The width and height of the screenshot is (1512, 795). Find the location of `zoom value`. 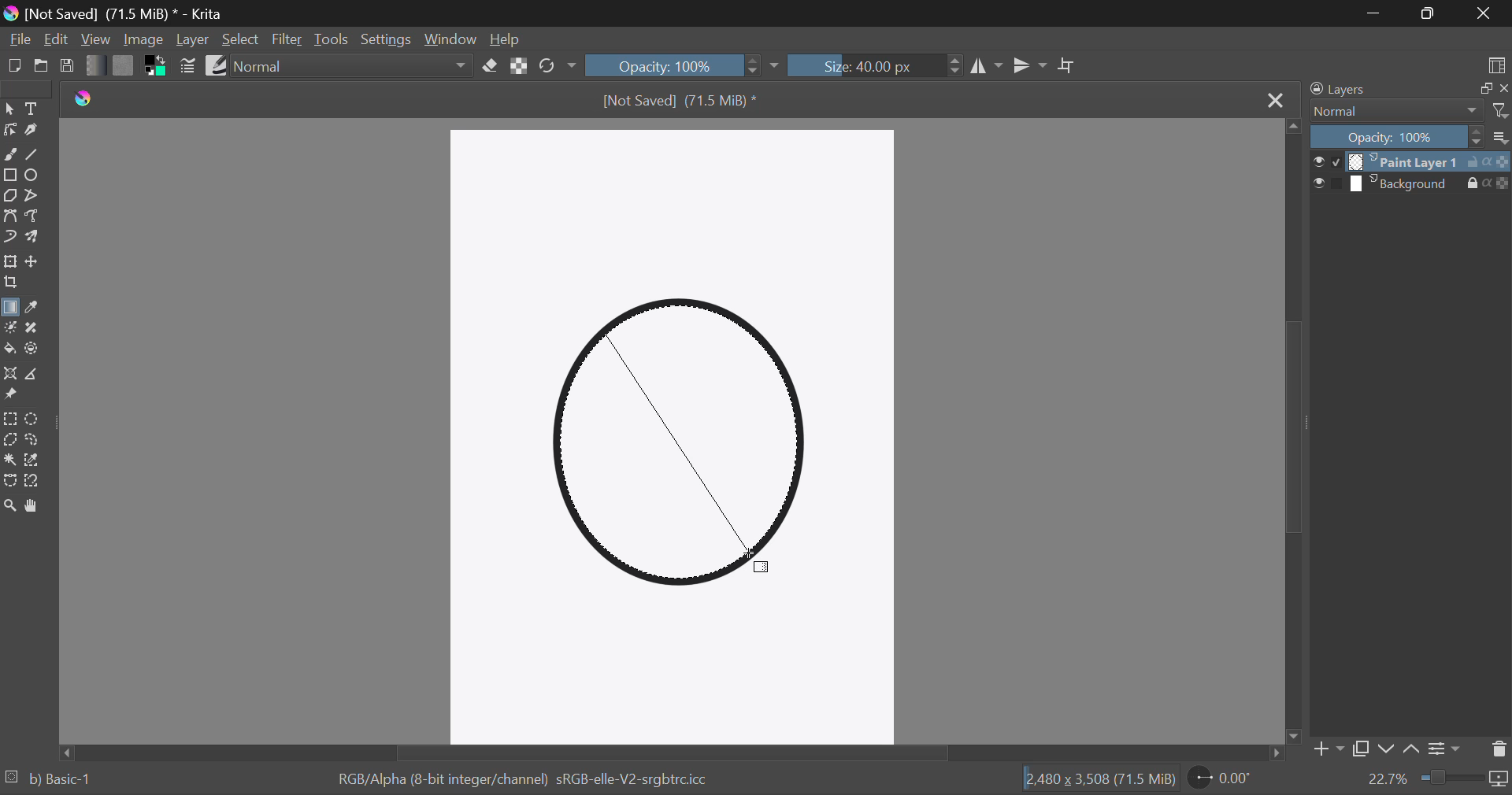

zoom value is located at coordinates (1389, 779).